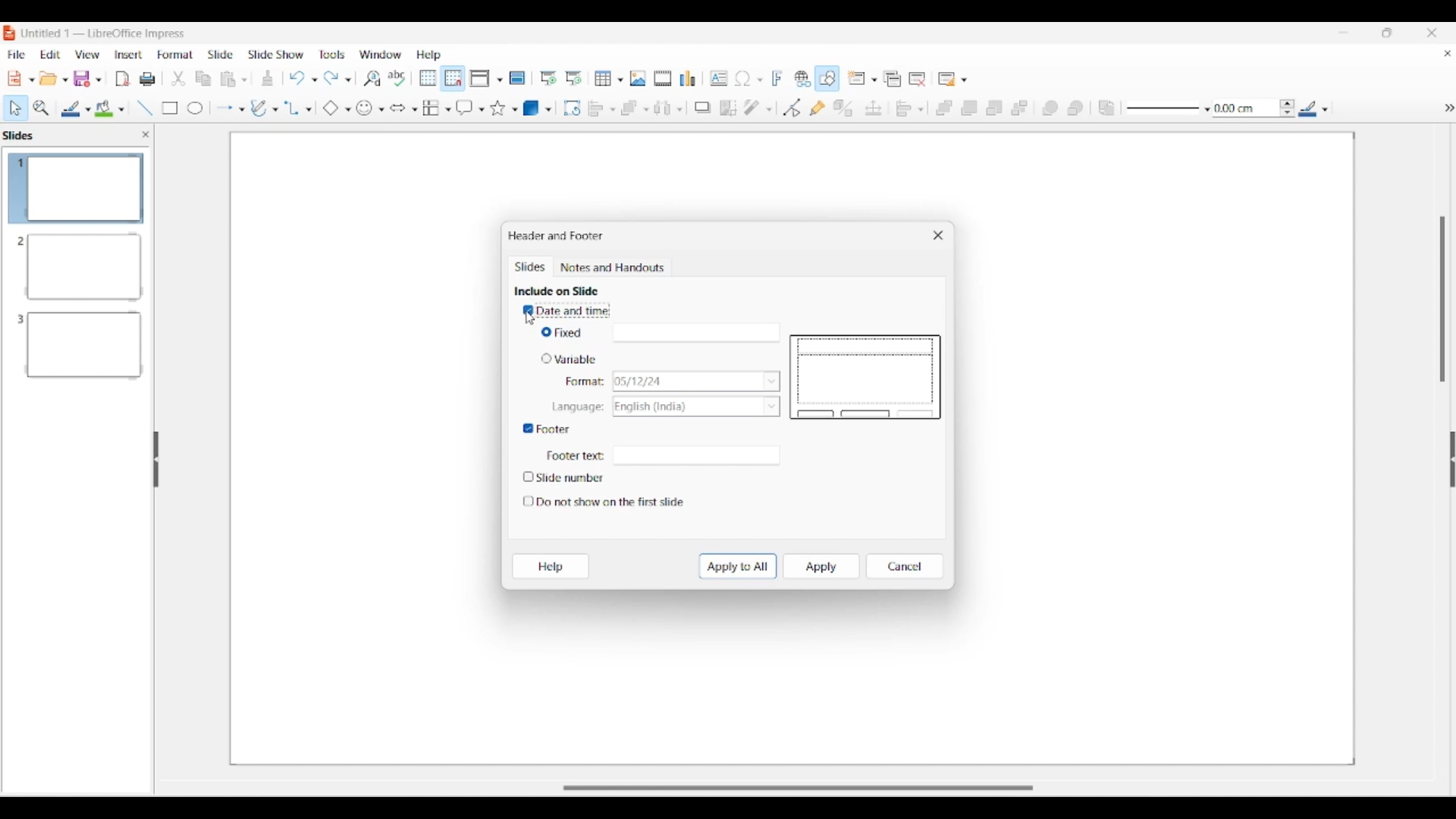  Describe the element at coordinates (42, 108) in the screenshot. I see `Zoom and pan` at that location.